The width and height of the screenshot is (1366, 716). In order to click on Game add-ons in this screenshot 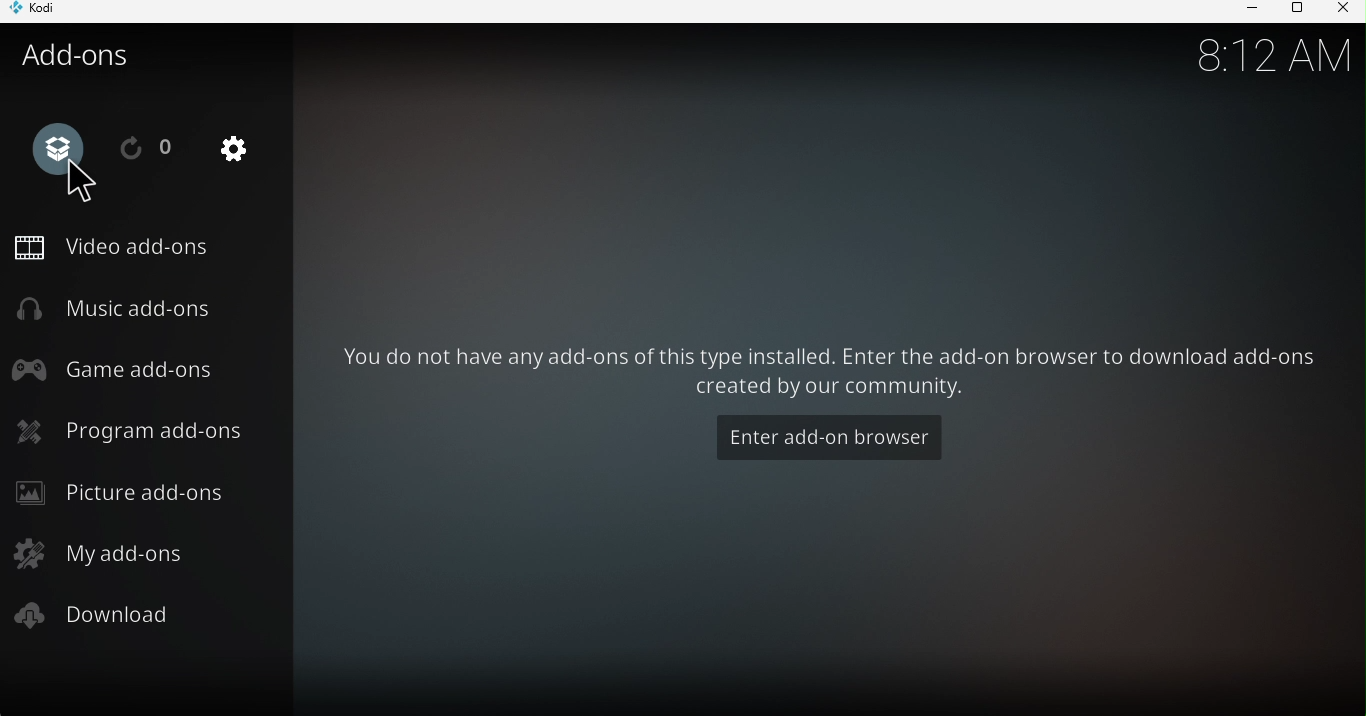, I will do `click(121, 370)`.